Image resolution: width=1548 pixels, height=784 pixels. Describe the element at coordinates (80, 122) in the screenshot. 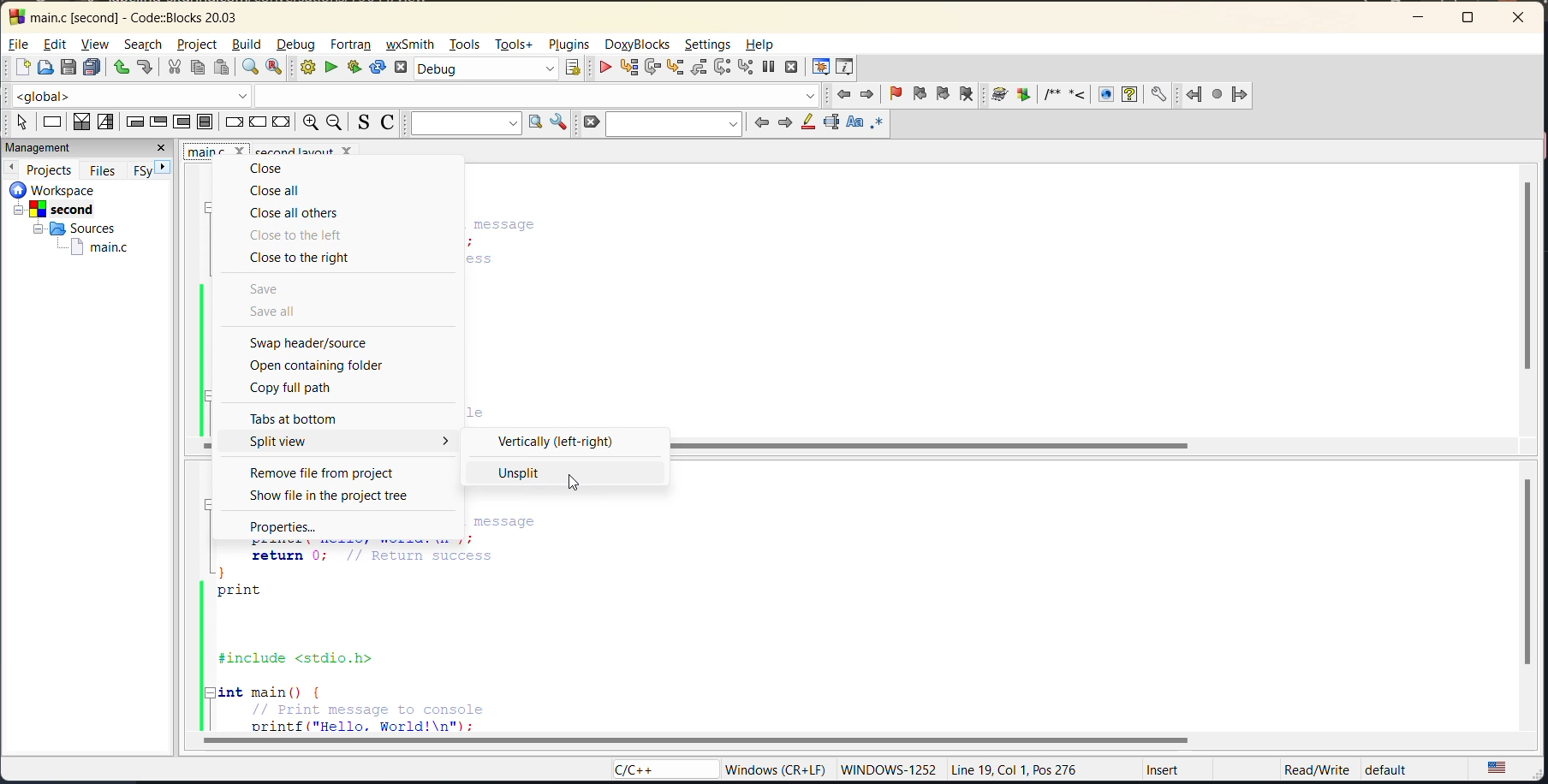

I see `decision` at that location.